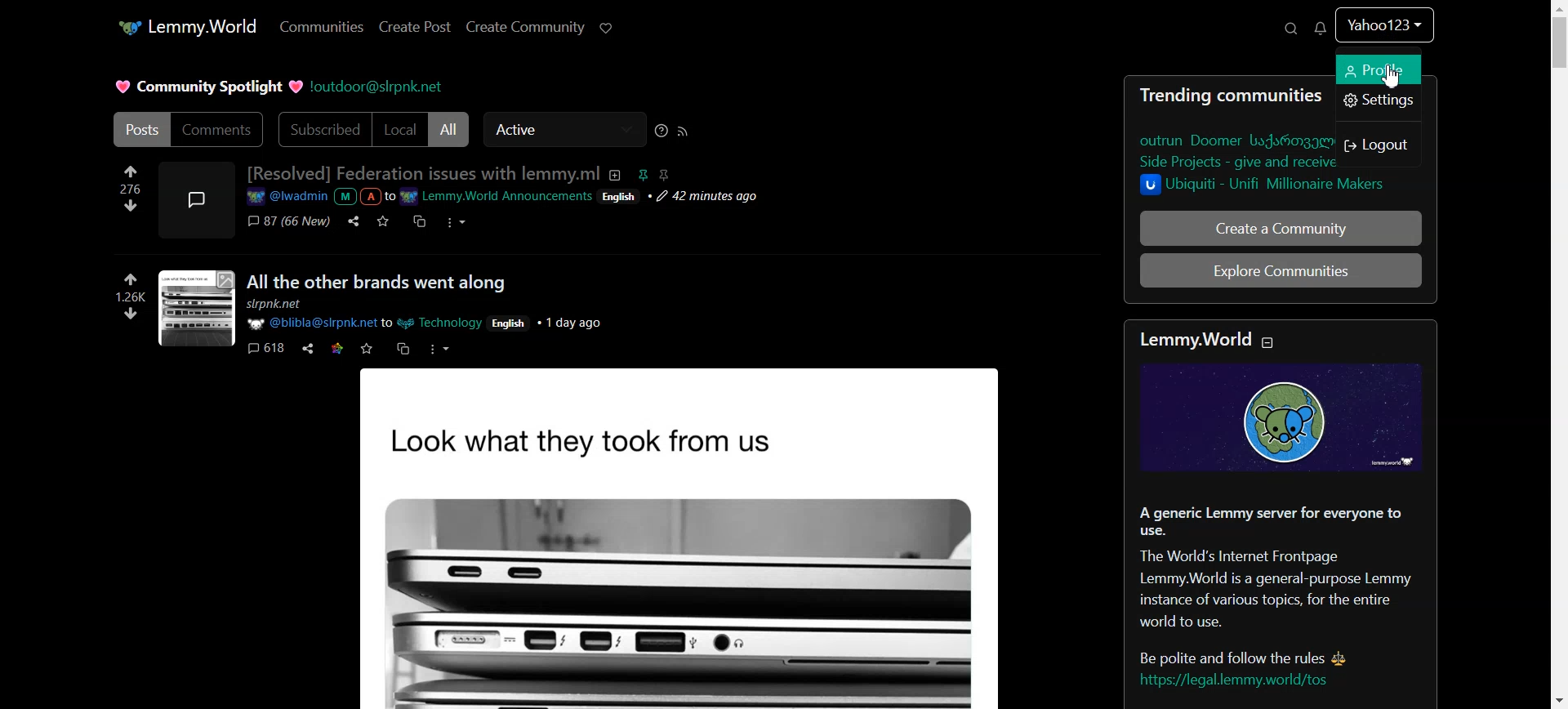  I want to click on Create Post, so click(415, 28).